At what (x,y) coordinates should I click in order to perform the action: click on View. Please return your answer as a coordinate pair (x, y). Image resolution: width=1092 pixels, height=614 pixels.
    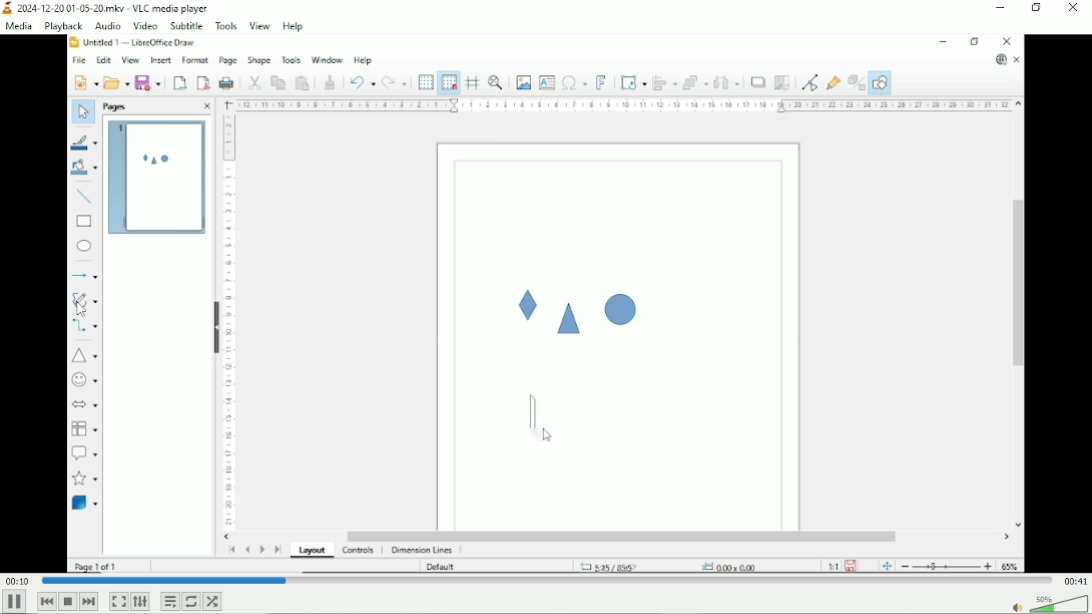
    Looking at the image, I should click on (259, 24).